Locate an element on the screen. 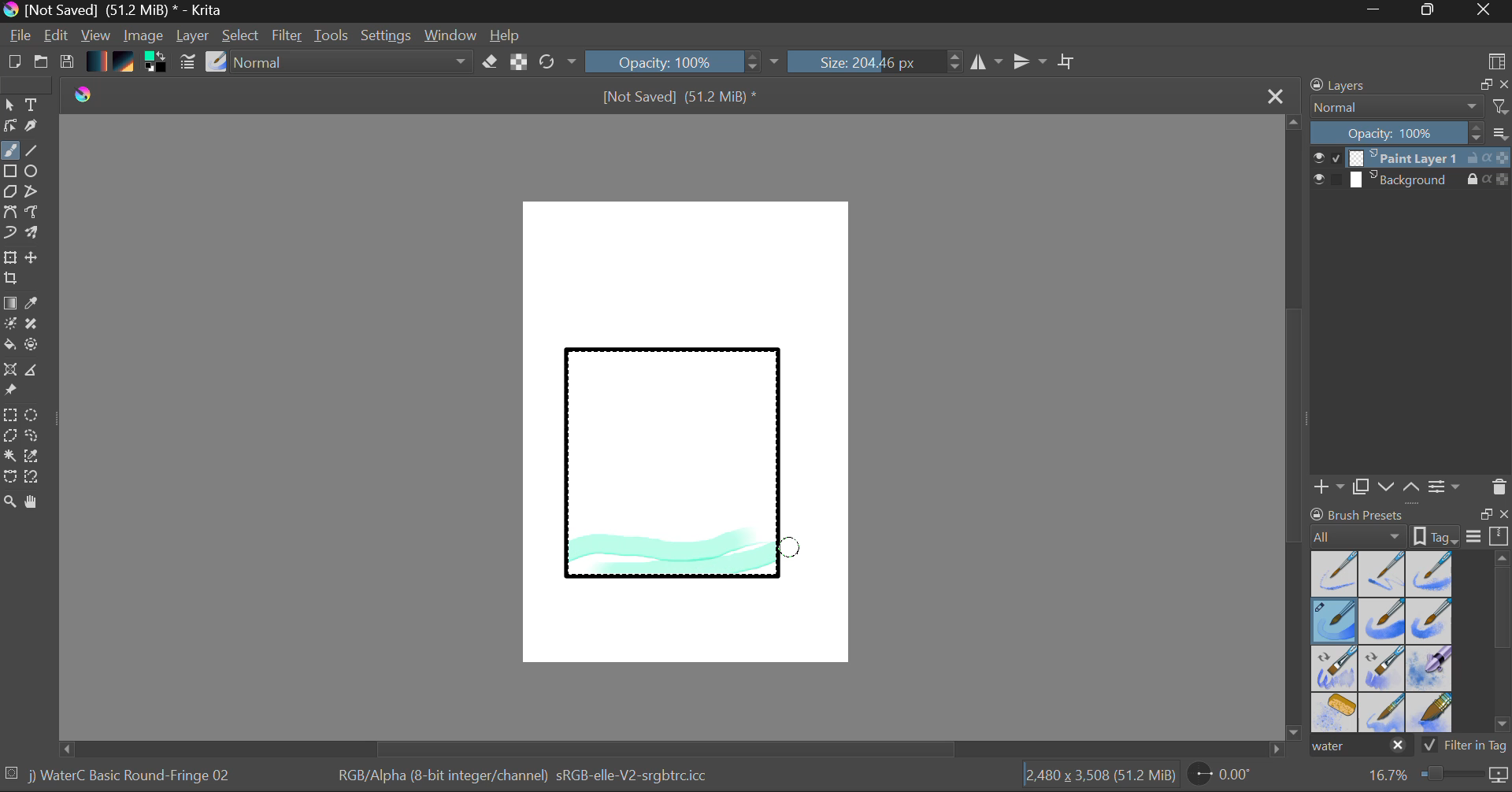 Image resolution: width=1512 pixels, height=792 pixels. Filter is located at coordinates (289, 38).